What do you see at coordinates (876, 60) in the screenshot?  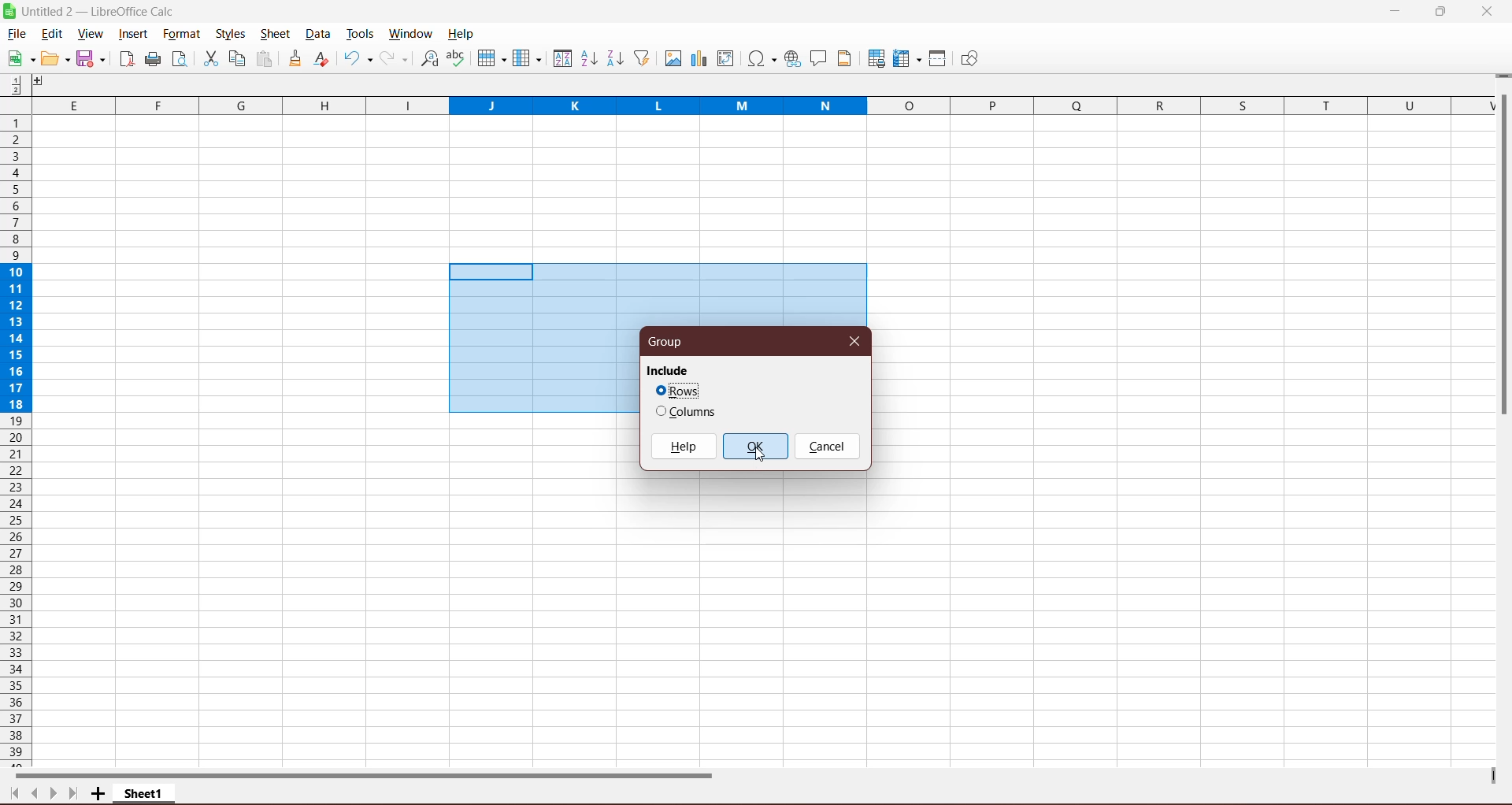 I see `Define Print Area` at bounding box center [876, 60].